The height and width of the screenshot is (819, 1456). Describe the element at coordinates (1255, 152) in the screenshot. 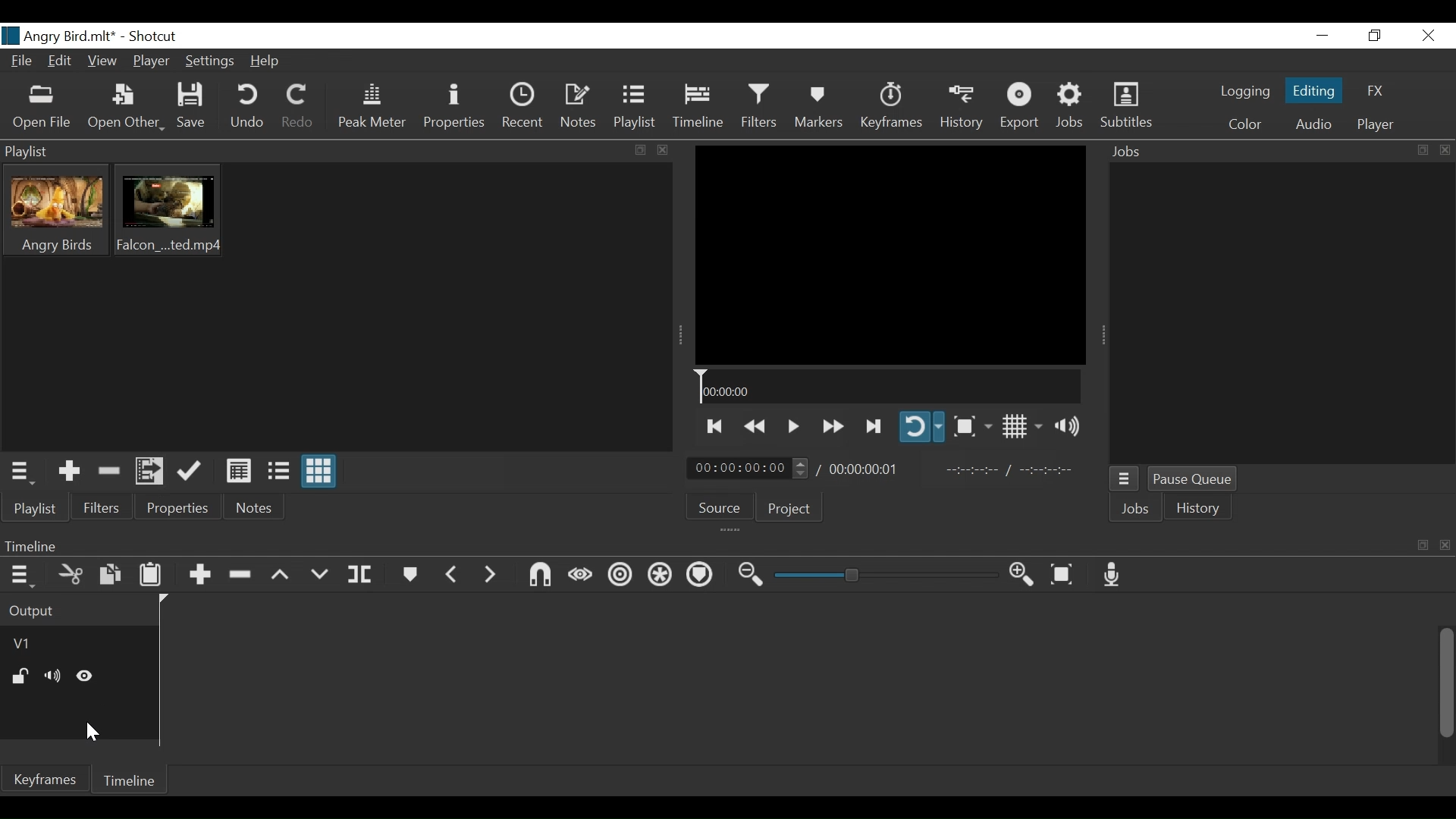

I see `Jobs Panel` at that location.